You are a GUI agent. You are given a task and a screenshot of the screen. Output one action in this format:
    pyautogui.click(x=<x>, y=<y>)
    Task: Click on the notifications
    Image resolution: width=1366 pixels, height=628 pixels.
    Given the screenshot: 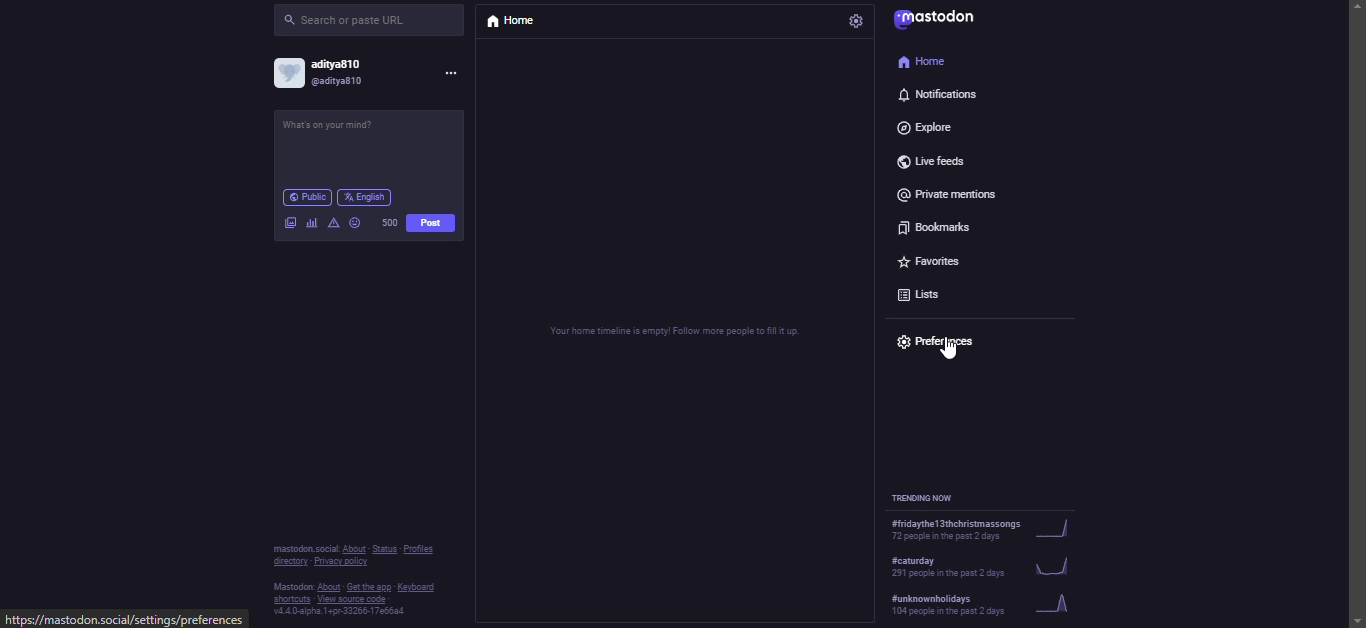 What is the action you would take?
    pyautogui.click(x=942, y=94)
    